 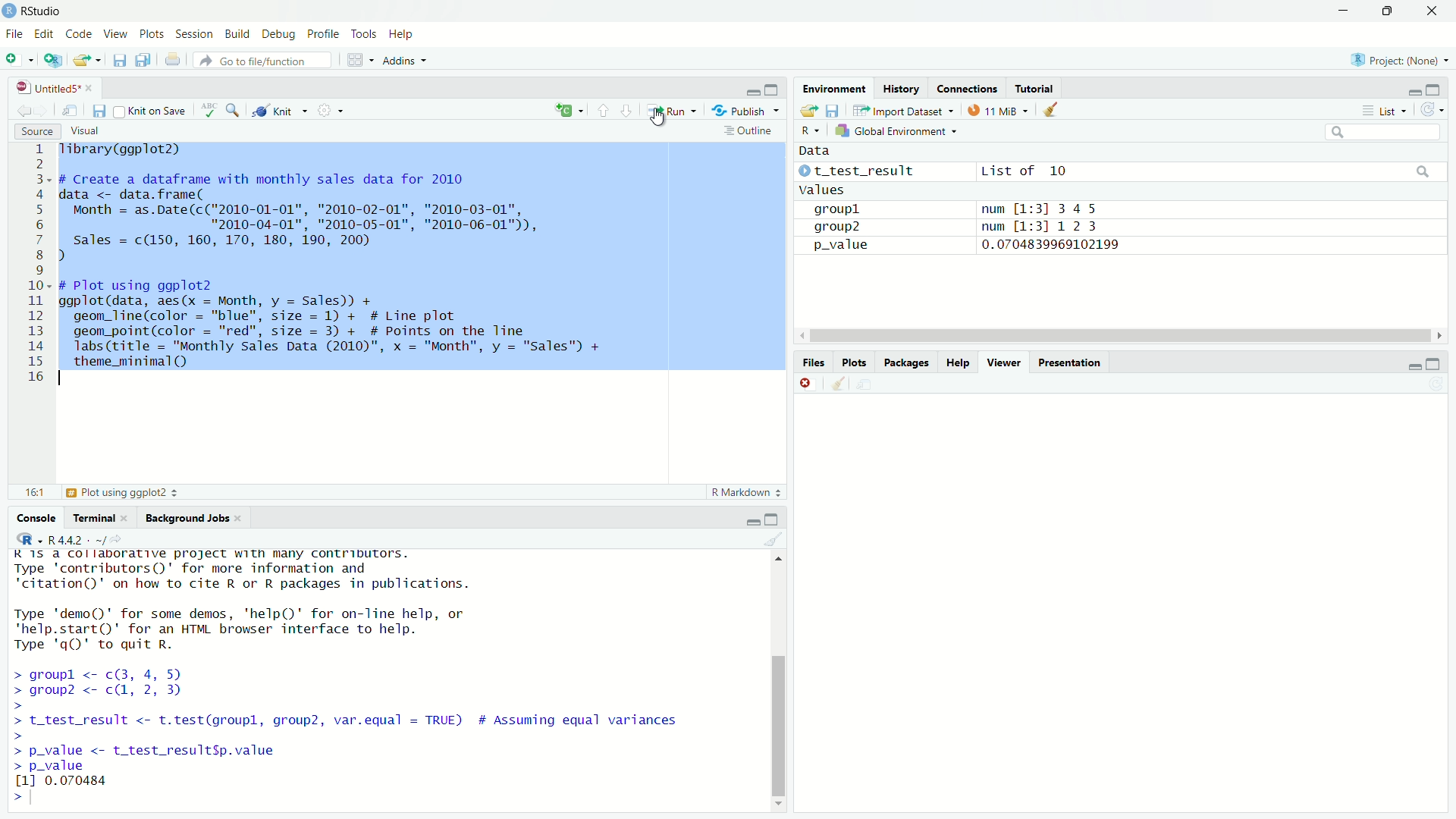 I want to click on go back, so click(x=30, y=109).